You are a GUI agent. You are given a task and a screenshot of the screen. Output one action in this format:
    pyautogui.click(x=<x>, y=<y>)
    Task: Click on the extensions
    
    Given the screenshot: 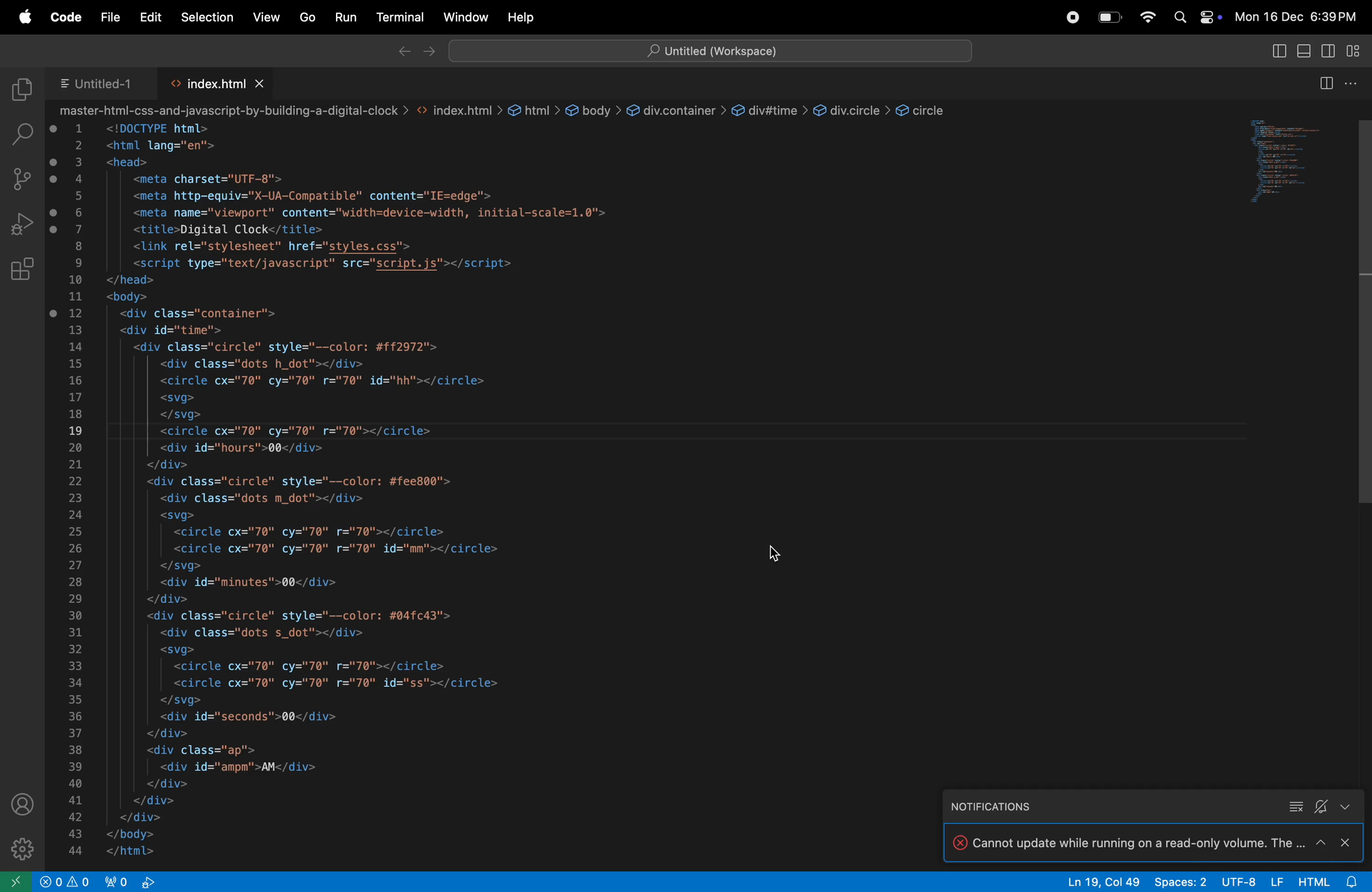 What is the action you would take?
    pyautogui.click(x=27, y=848)
    